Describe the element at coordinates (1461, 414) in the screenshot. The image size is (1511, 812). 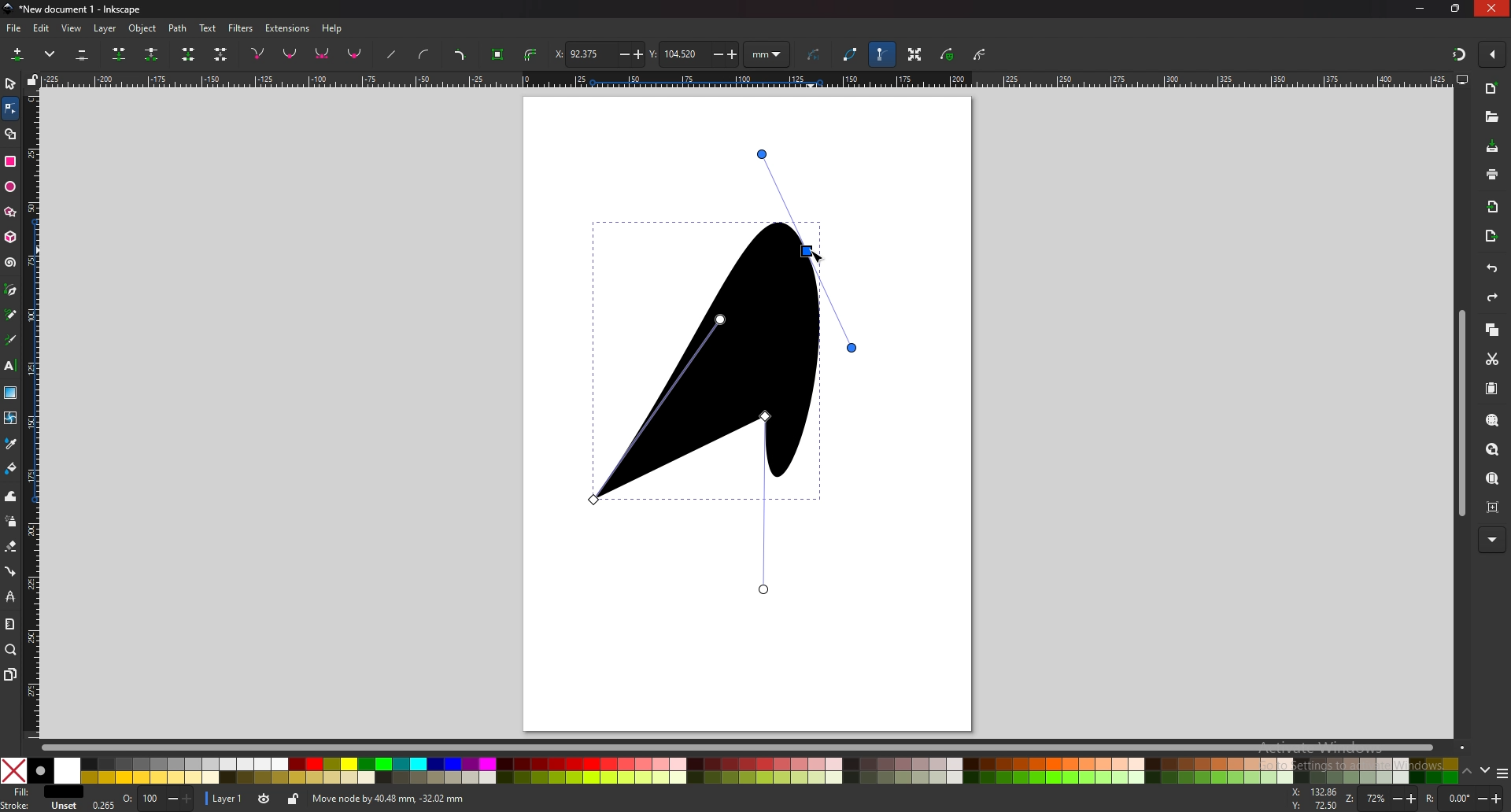
I see `scroll bar` at that location.